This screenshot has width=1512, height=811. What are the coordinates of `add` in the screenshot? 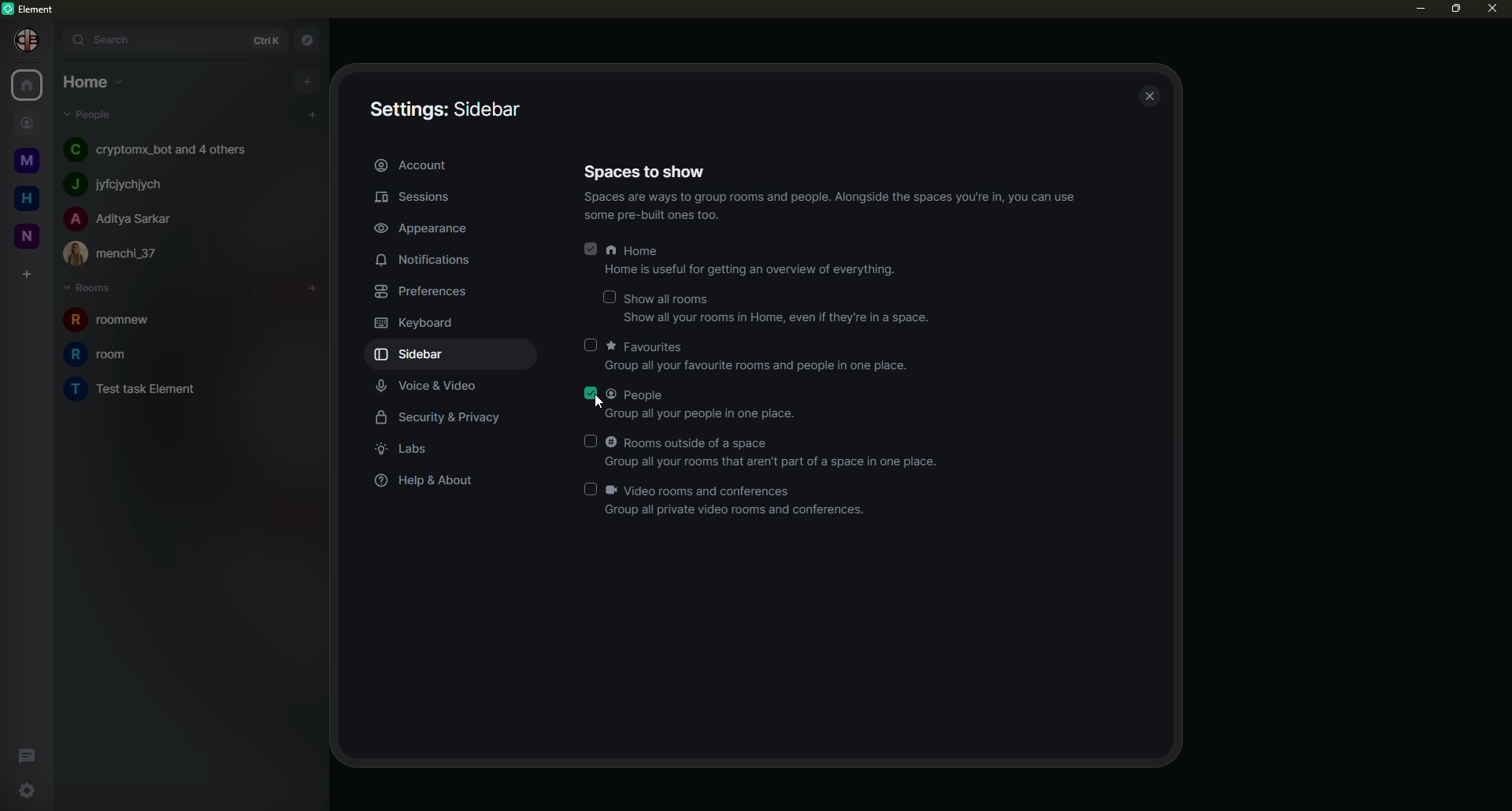 It's located at (314, 286).